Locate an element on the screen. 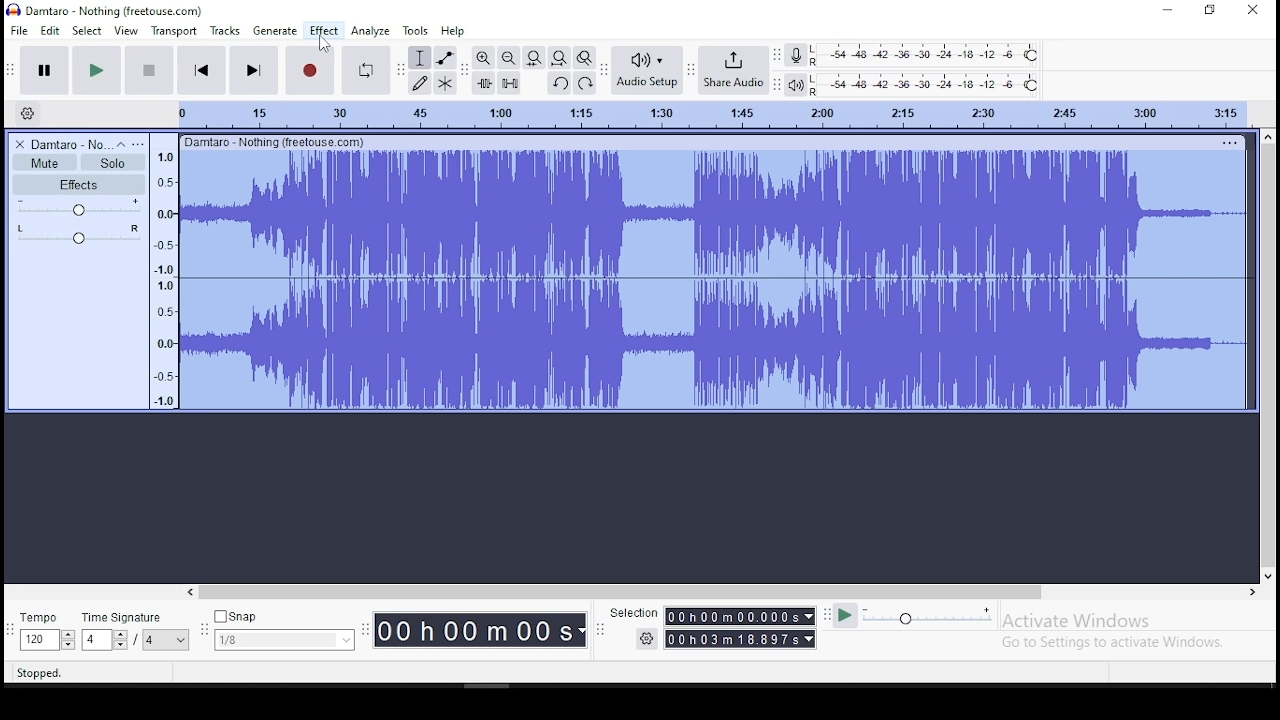  zoom in is located at coordinates (482, 58).